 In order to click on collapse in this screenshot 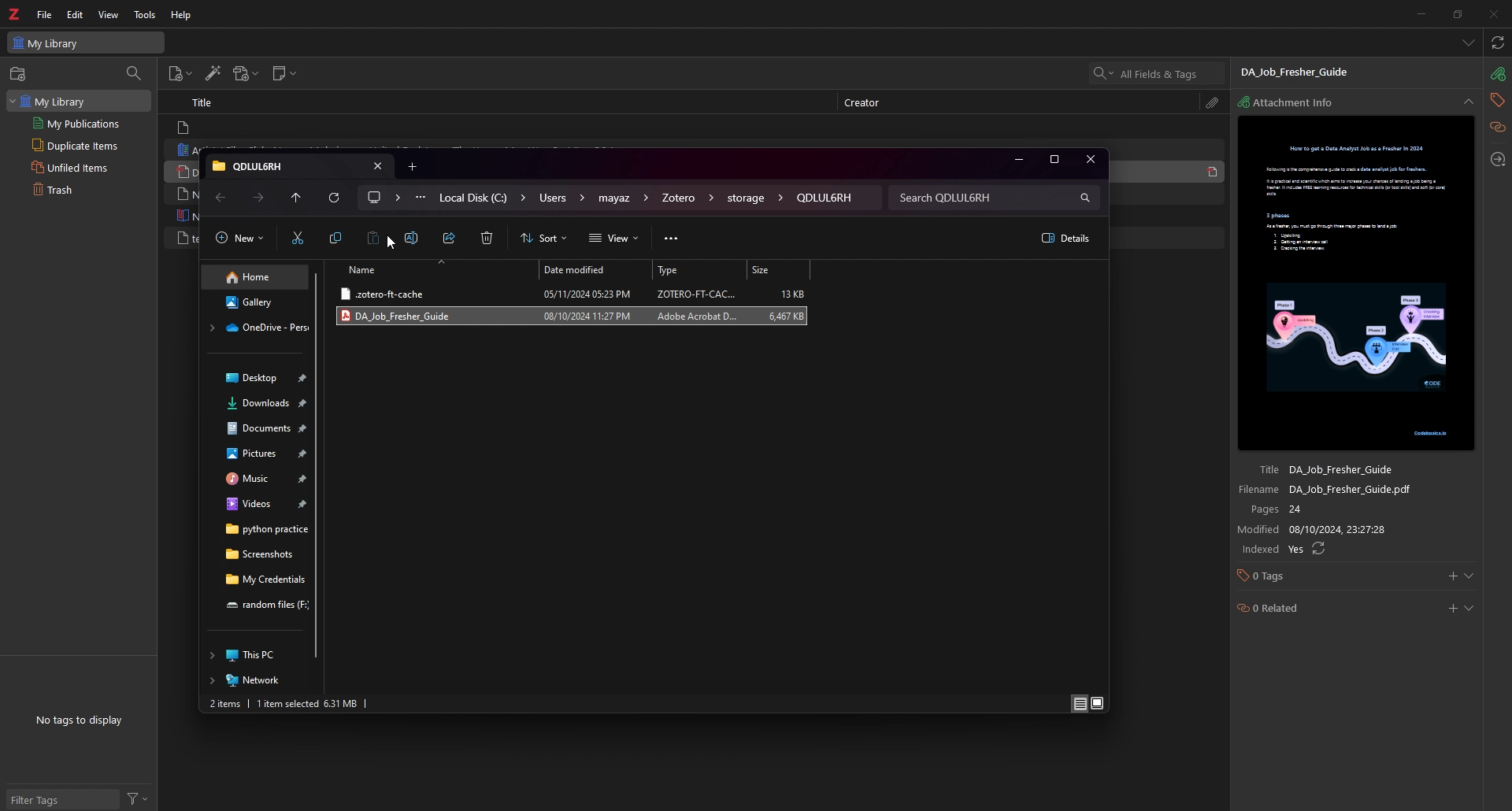, I will do `click(1468, 103)`.